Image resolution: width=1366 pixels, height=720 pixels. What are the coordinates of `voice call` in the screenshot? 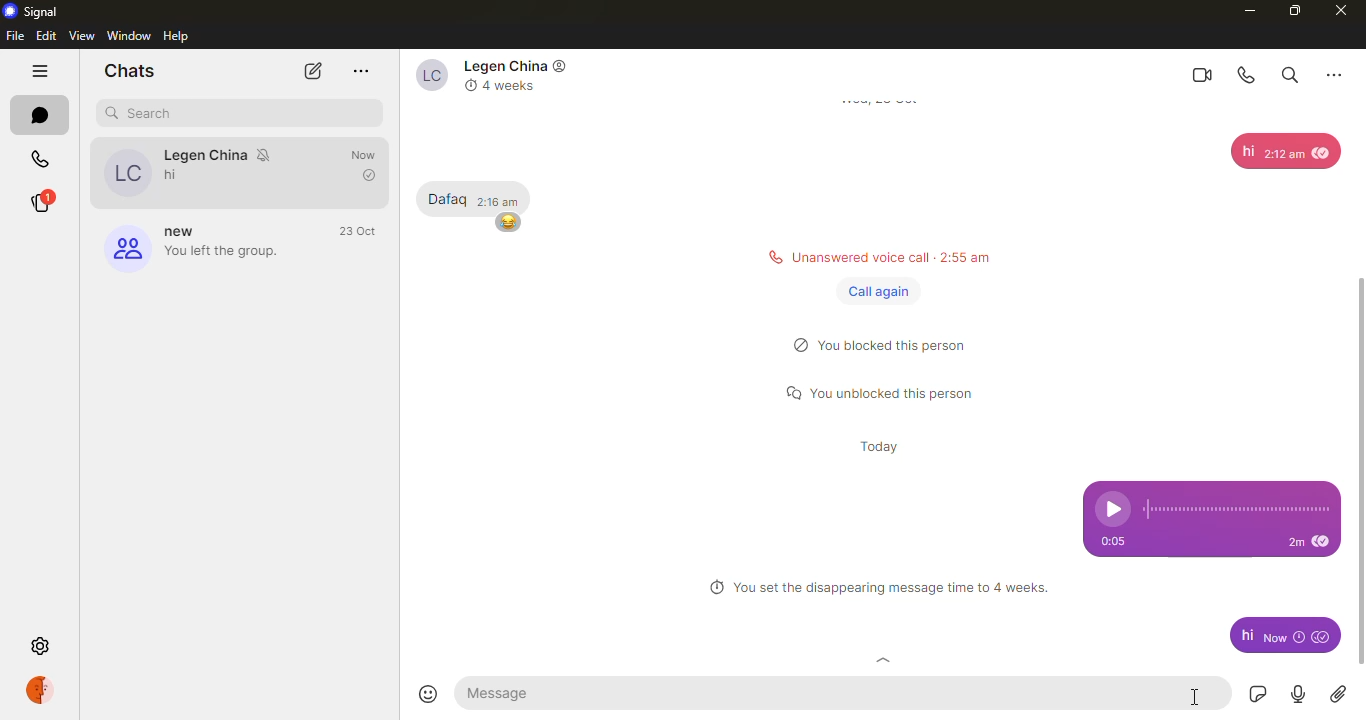 It's located at (1248, 75).